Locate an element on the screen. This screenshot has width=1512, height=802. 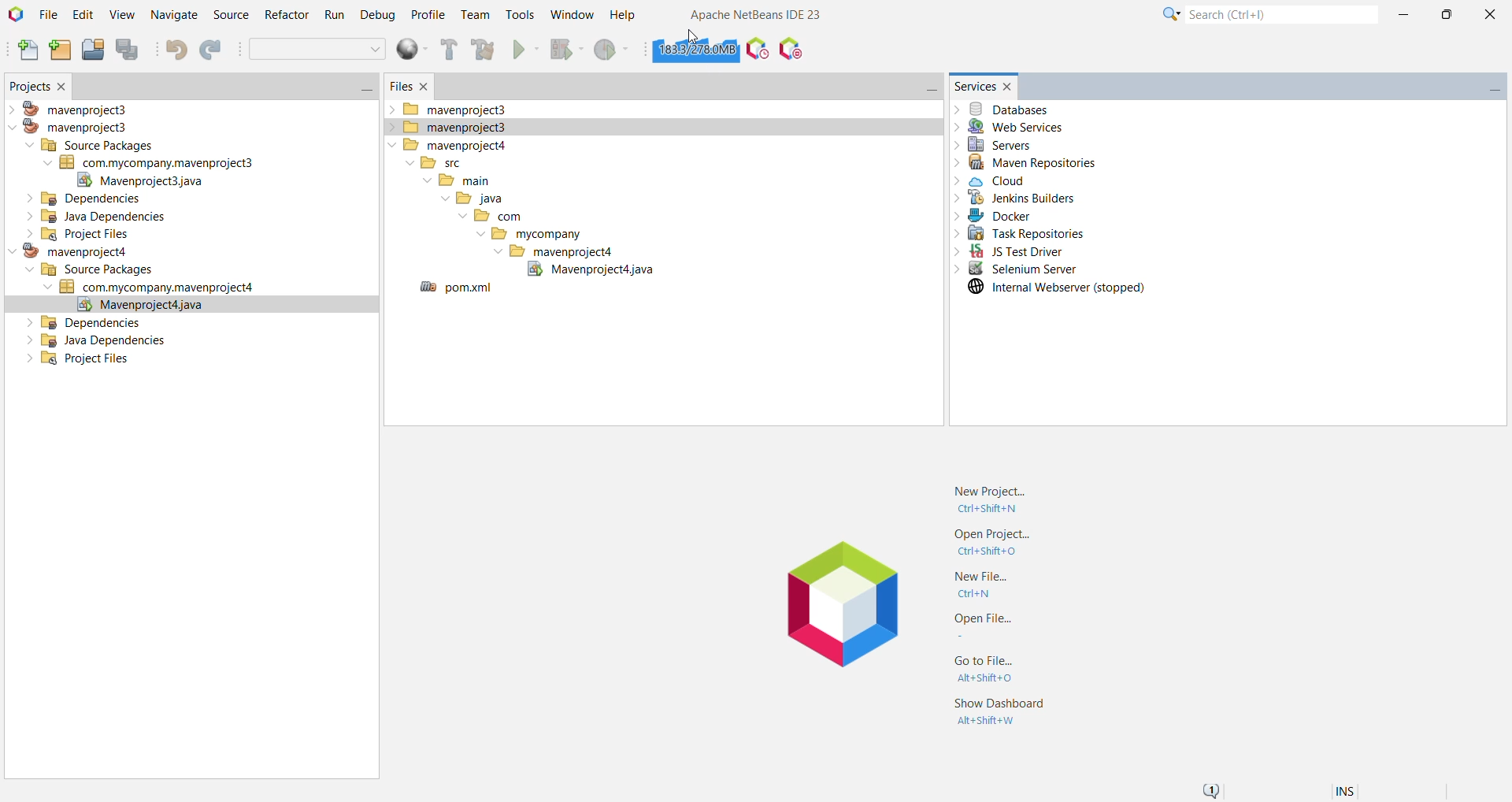
Task Repositories is located at coordinates (1022, 236).